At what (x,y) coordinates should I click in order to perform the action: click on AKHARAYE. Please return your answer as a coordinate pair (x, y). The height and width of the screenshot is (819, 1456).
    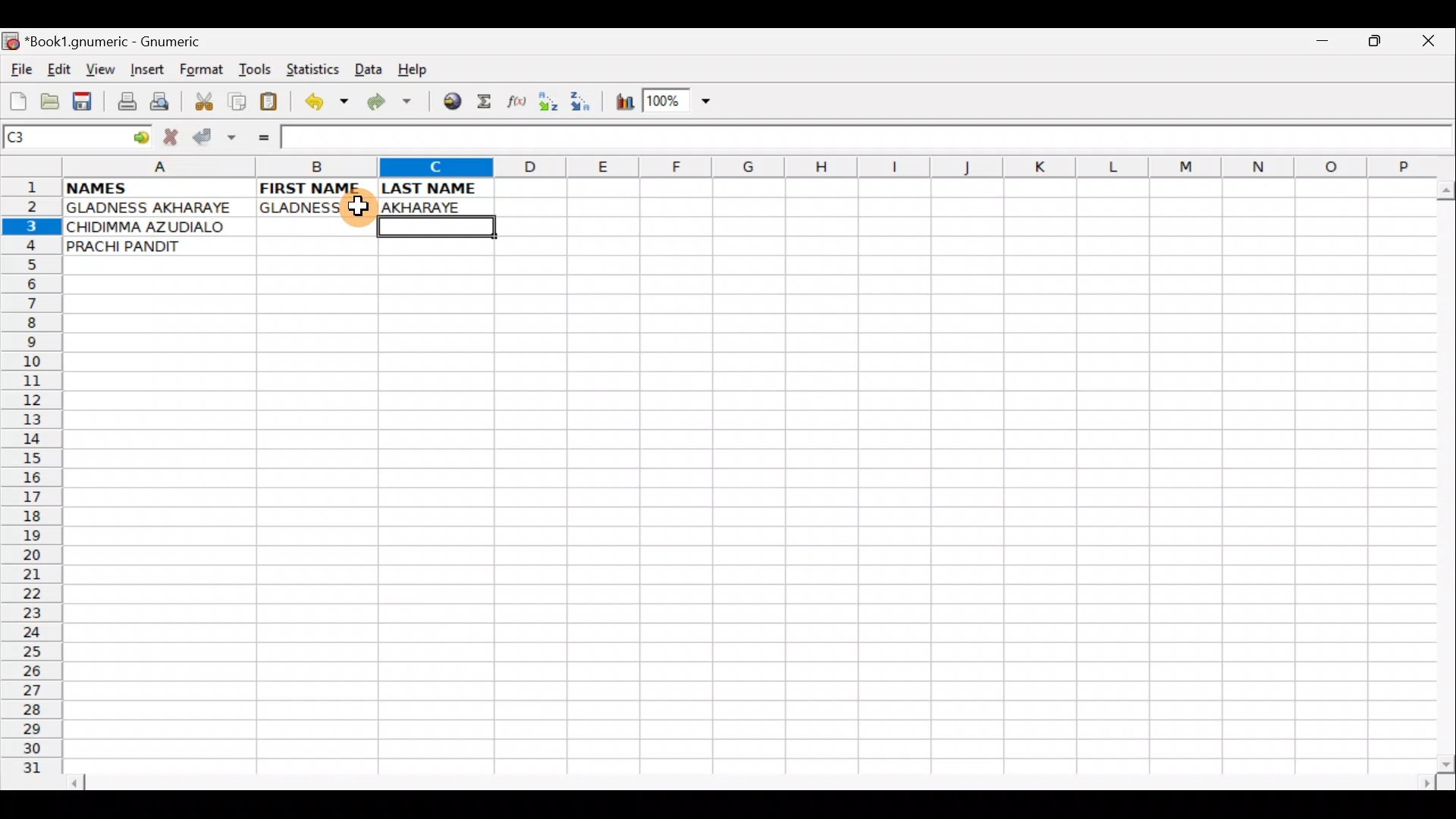
    Looking at the image, I should click on (437, 206).